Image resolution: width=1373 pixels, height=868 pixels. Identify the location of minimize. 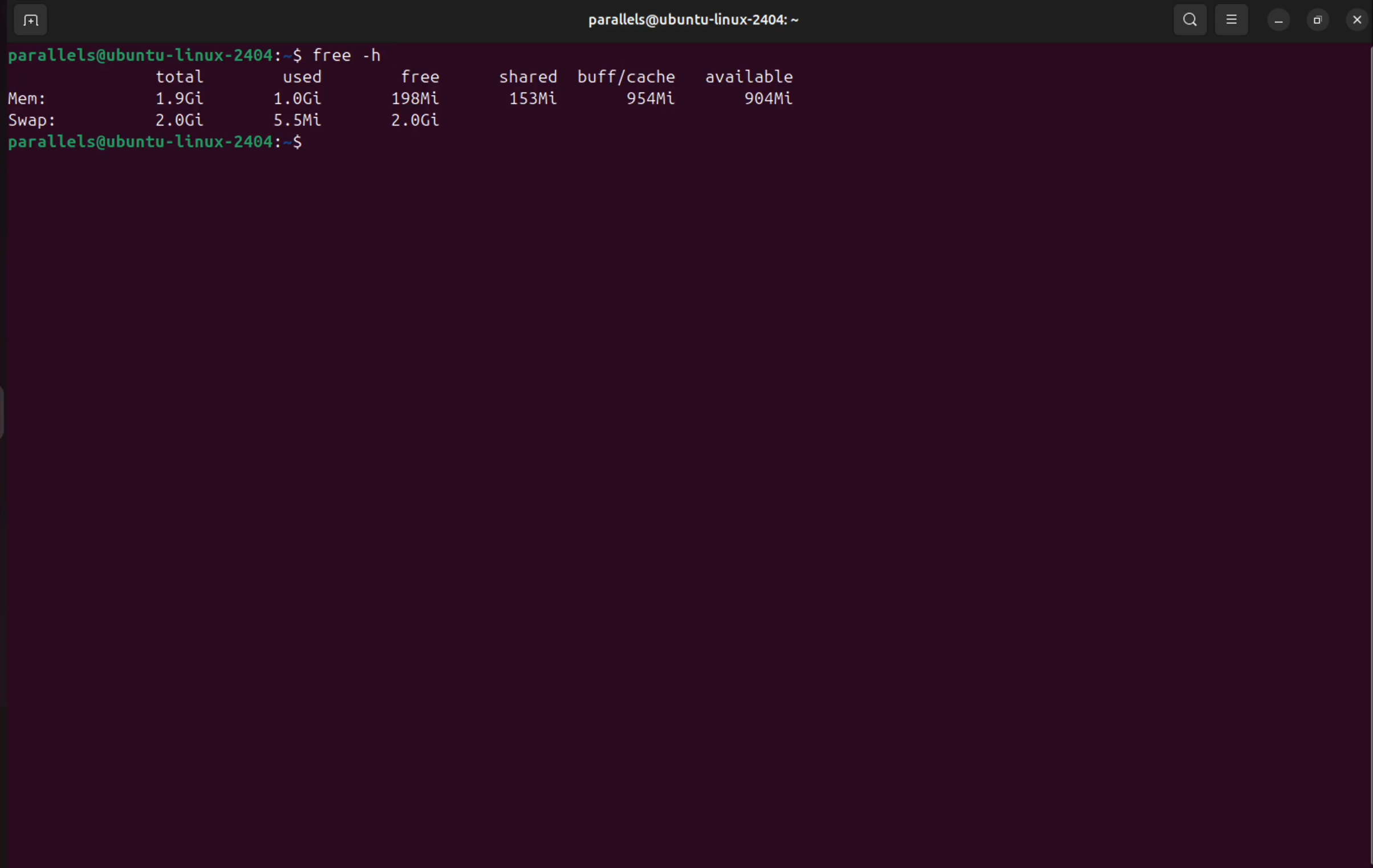
(1278, 19).